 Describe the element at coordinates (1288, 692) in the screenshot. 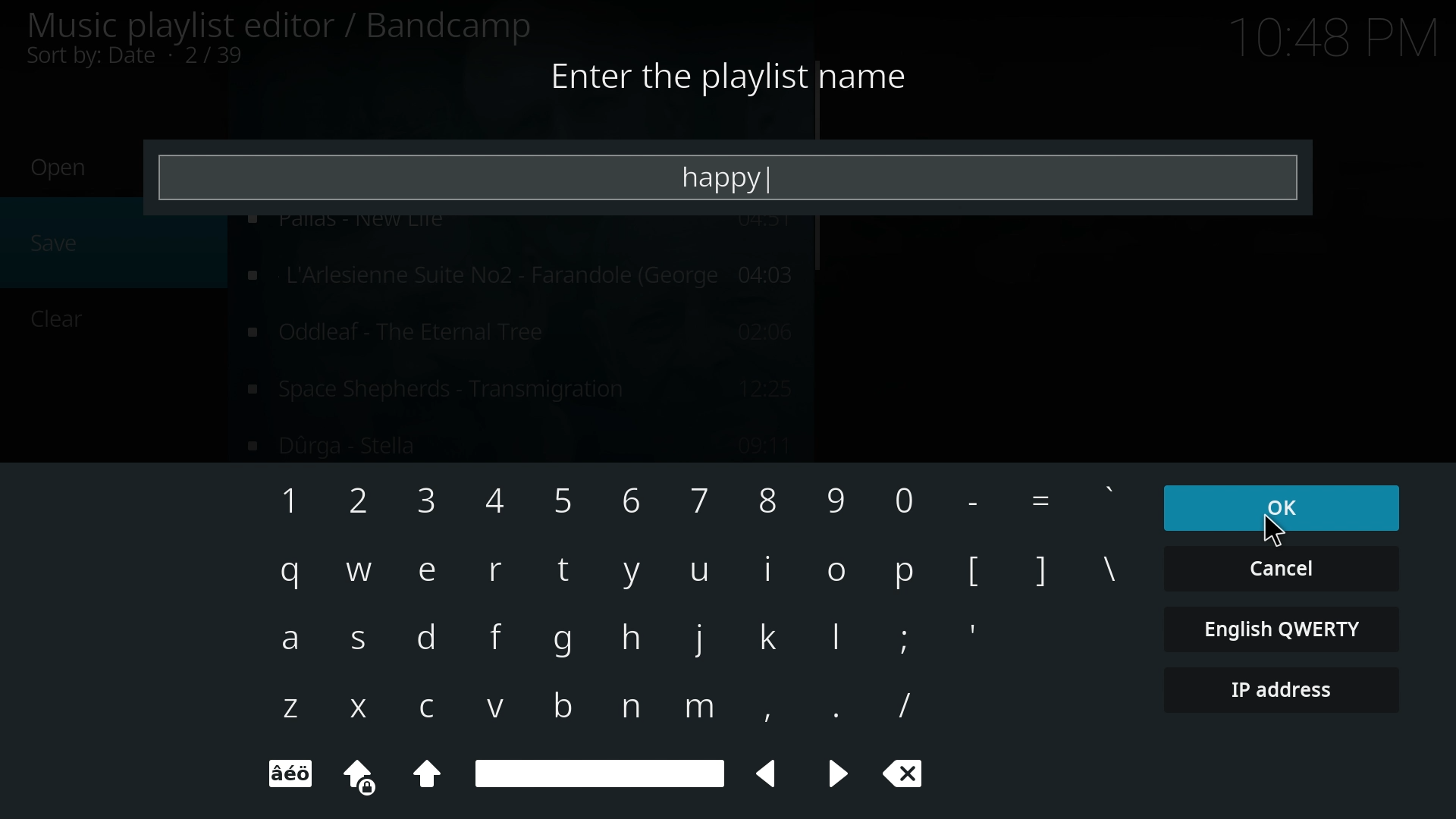

I see `ip address` at that location.